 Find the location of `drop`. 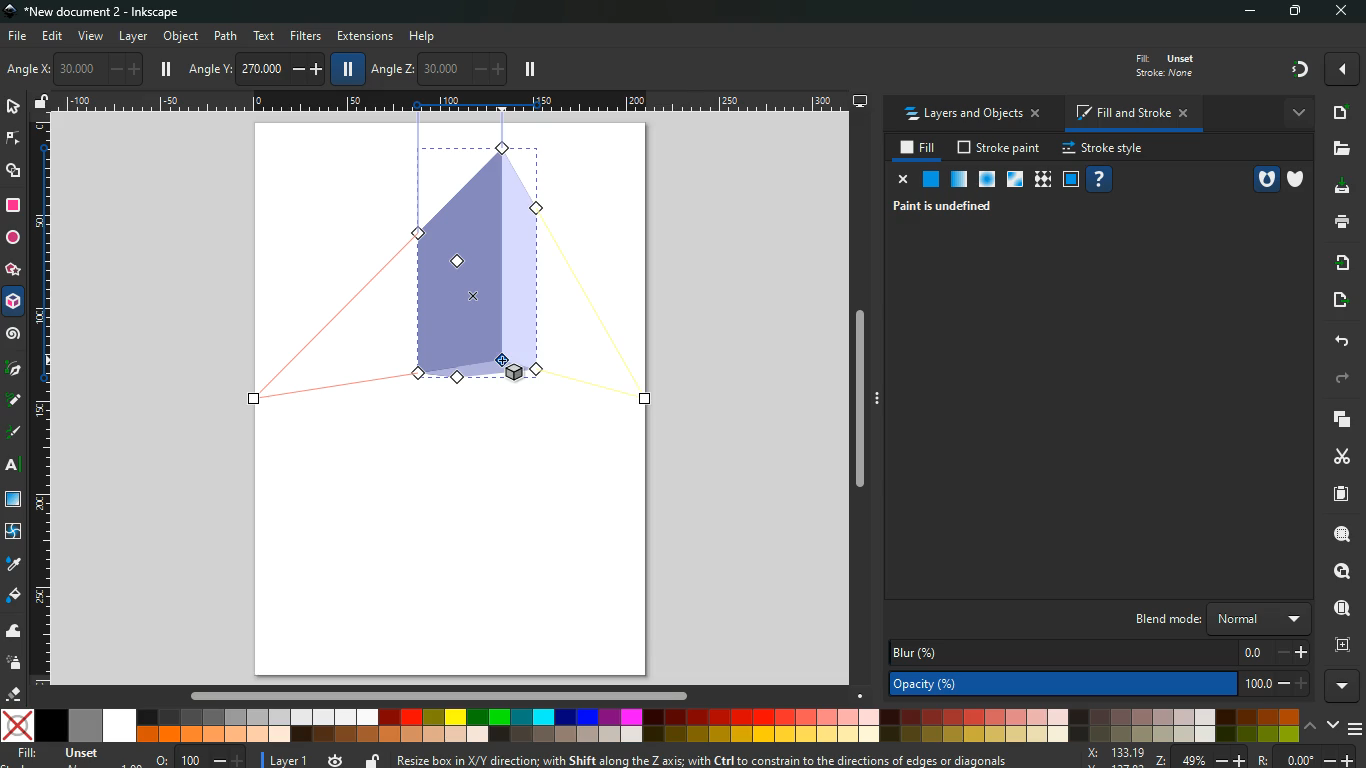

drop is located at coordinates (12, 563).